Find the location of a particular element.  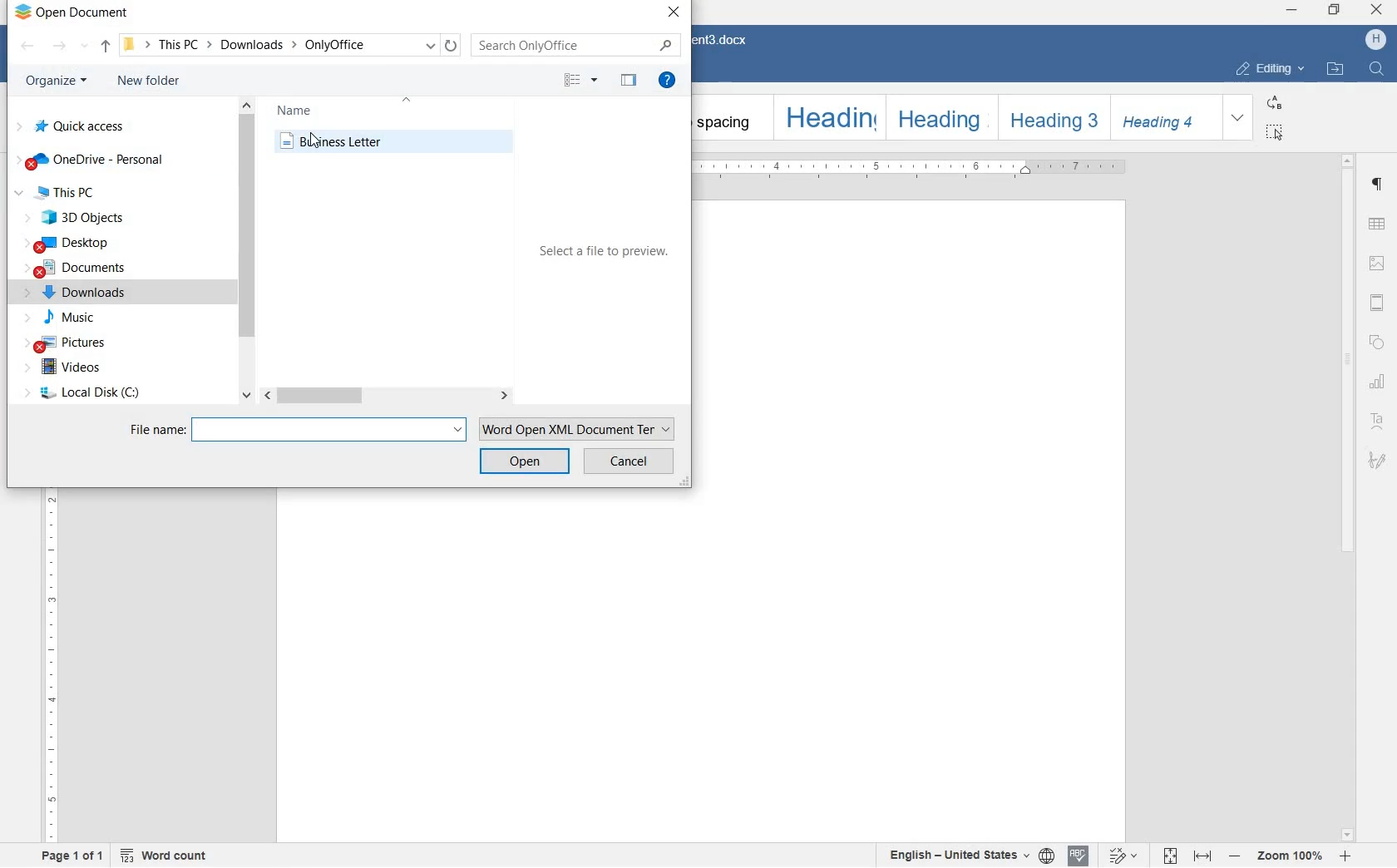

TetArt Settings is located at coordinates (1378, 420).